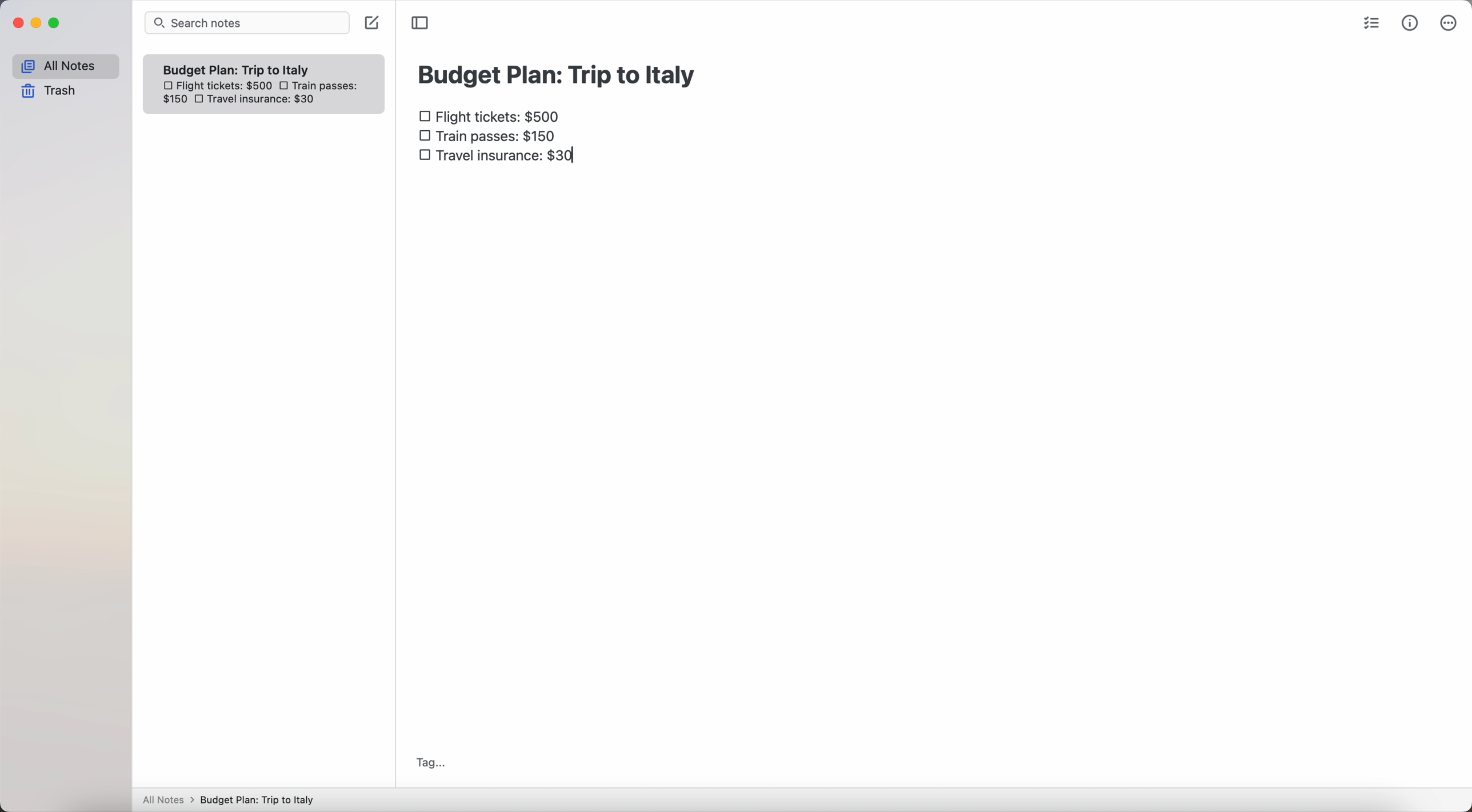 The image size is (1472, 812). What do you see at coordinates (498, 159) in the screenshot?
I see `travel insurance: $30 checkbox` at bounding box center [498, 159].